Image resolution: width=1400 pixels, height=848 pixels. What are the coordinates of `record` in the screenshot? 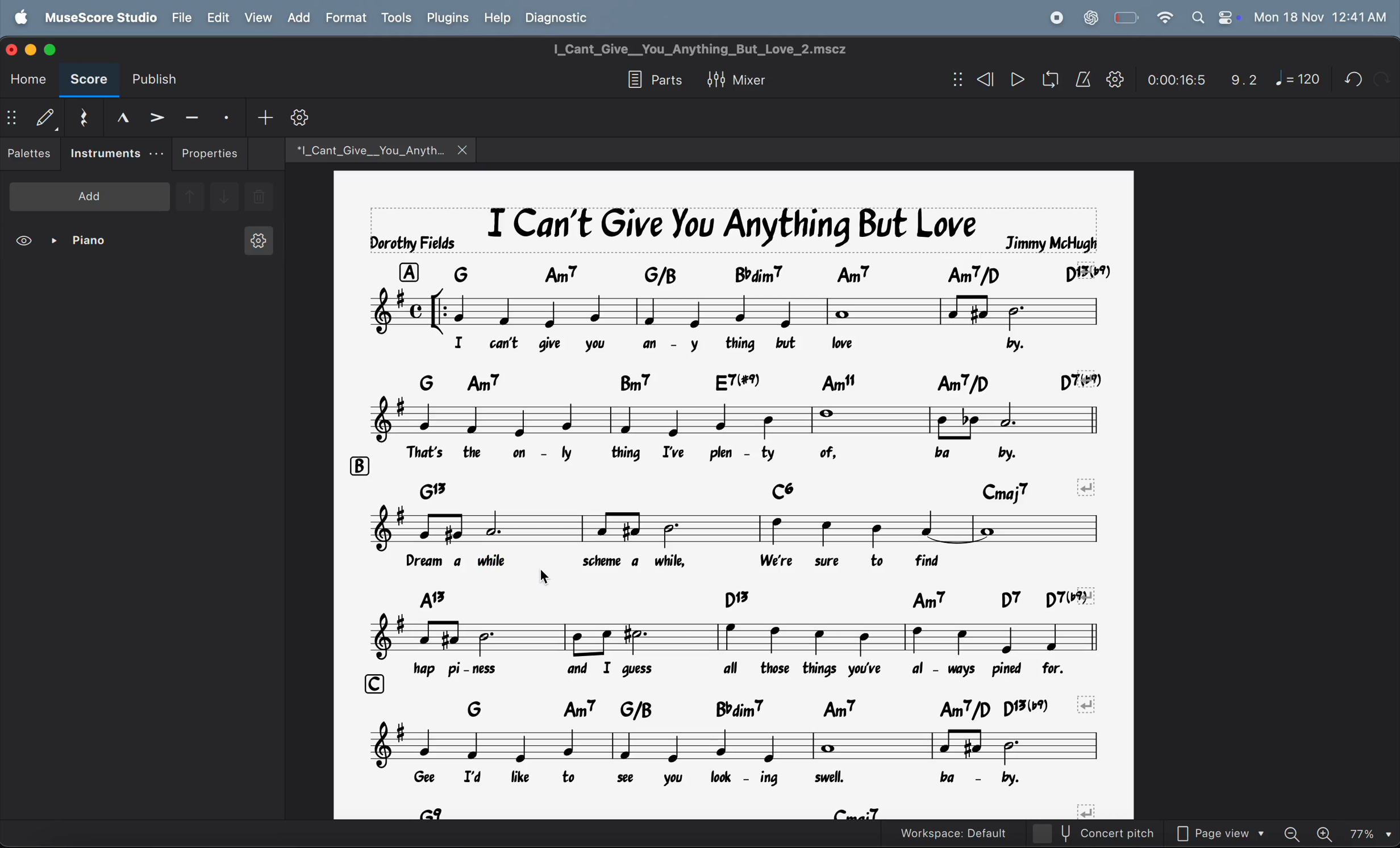 It's located at (1054, 16).